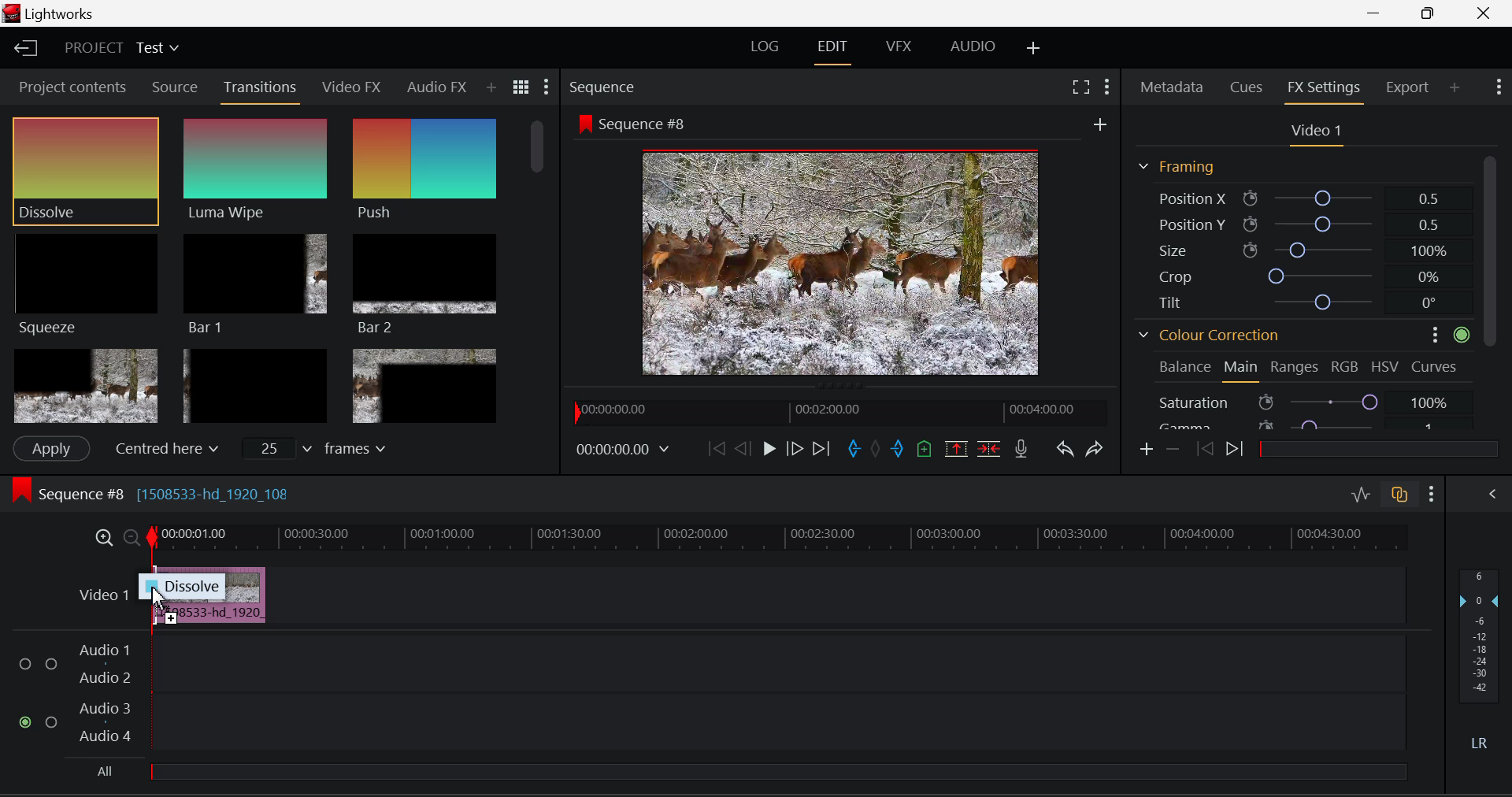 Image resolution: width=1512 pixels, height=797 pixels. What do you see at coordinates (1323, 89) in the screenshot?
I see `FX Settings Open` at bounding box center [1323, 89].